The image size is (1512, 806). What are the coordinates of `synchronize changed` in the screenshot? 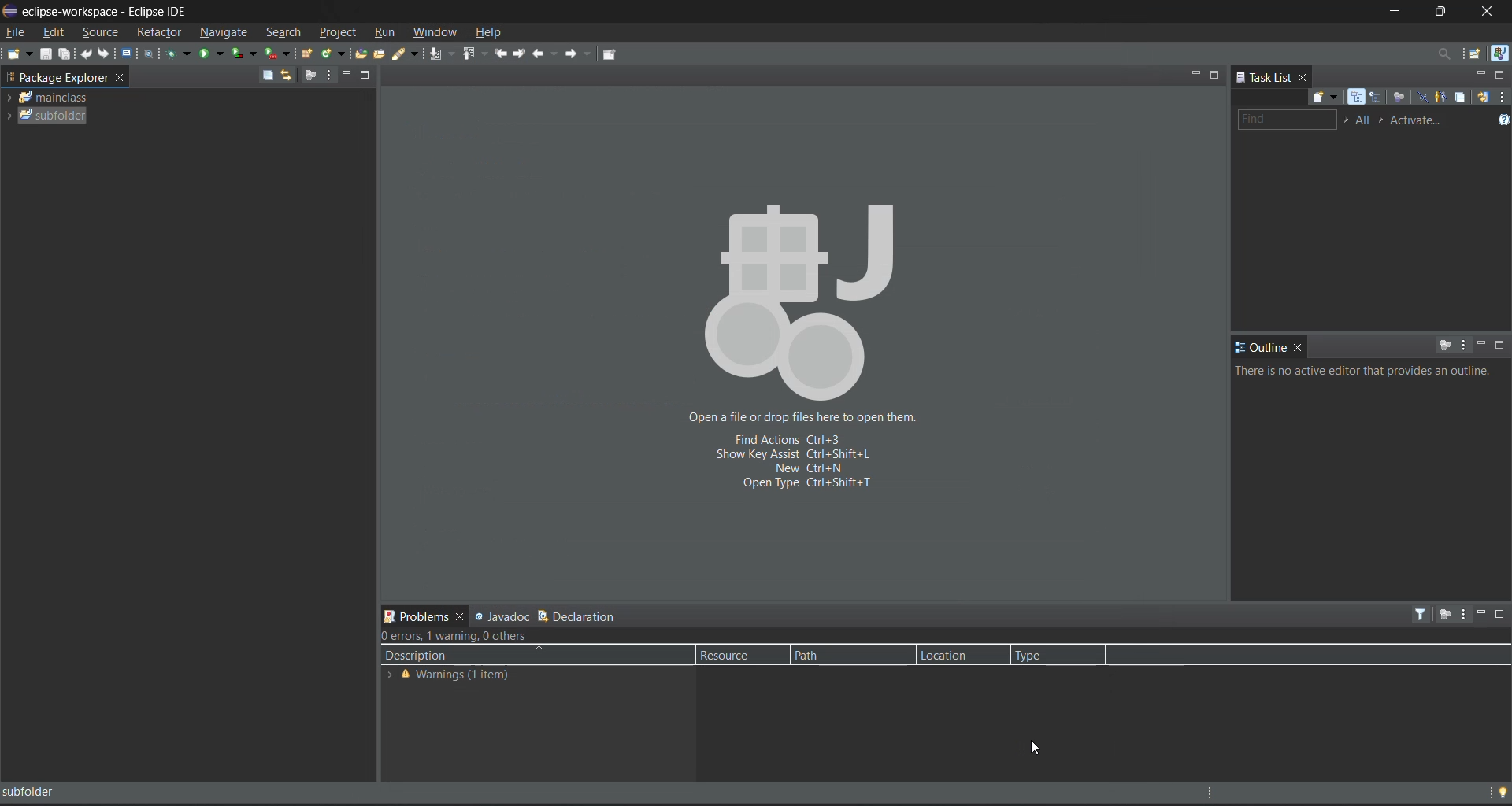 It's located at (1482, 99).